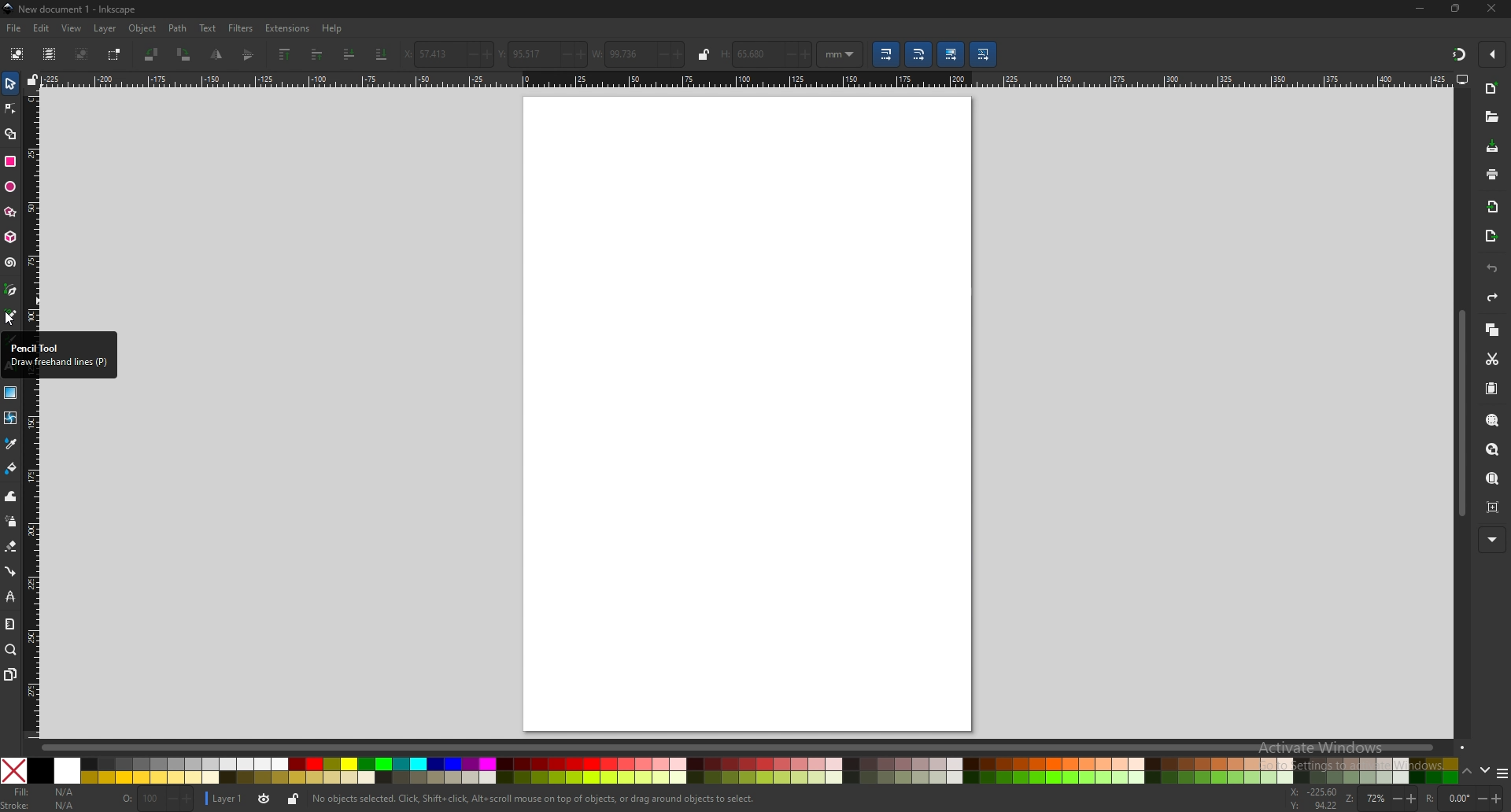 The width and height of the screenshot is (1511, 812). What do you see at coordinates (1492, 298) in the screenshot?
I see `redo` at bounding box center [1492, 298].